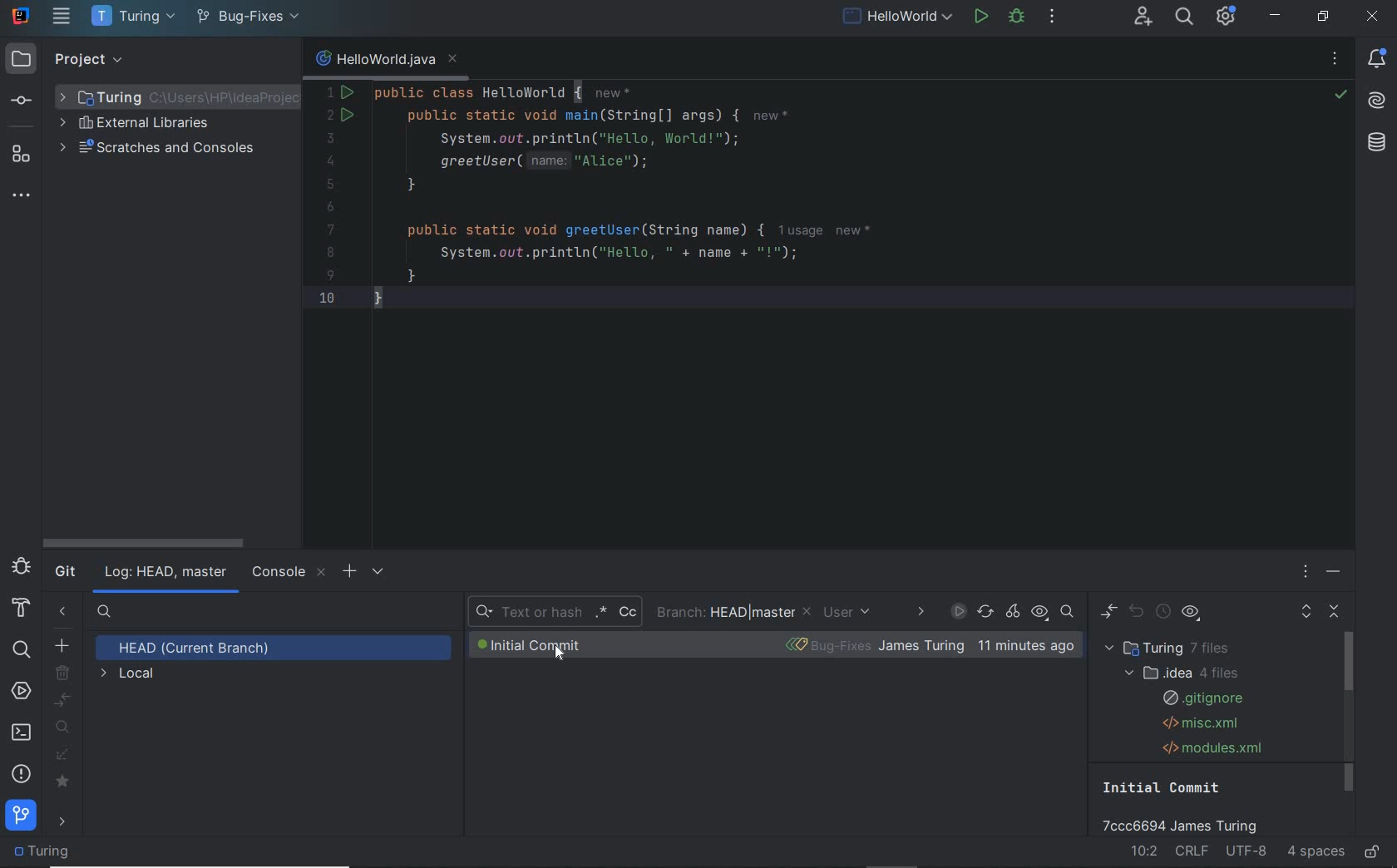 The height and width of the screenshot is (868, 1397). Describe the element at coordinates (689, 195) in the screenshot. I see `code` at that location.